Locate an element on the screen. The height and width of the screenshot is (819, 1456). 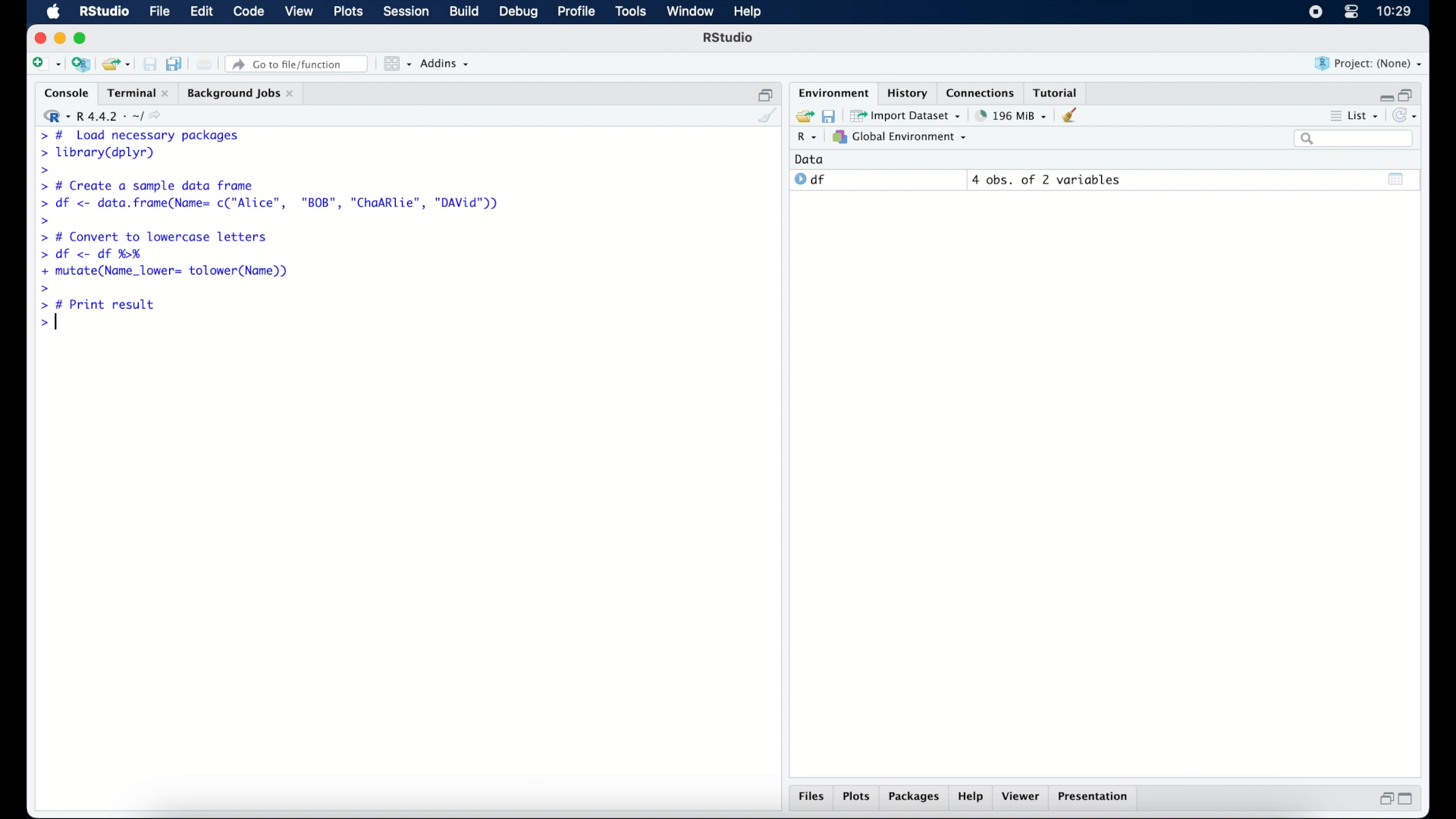
maximize is located at coordinates (83, 38).